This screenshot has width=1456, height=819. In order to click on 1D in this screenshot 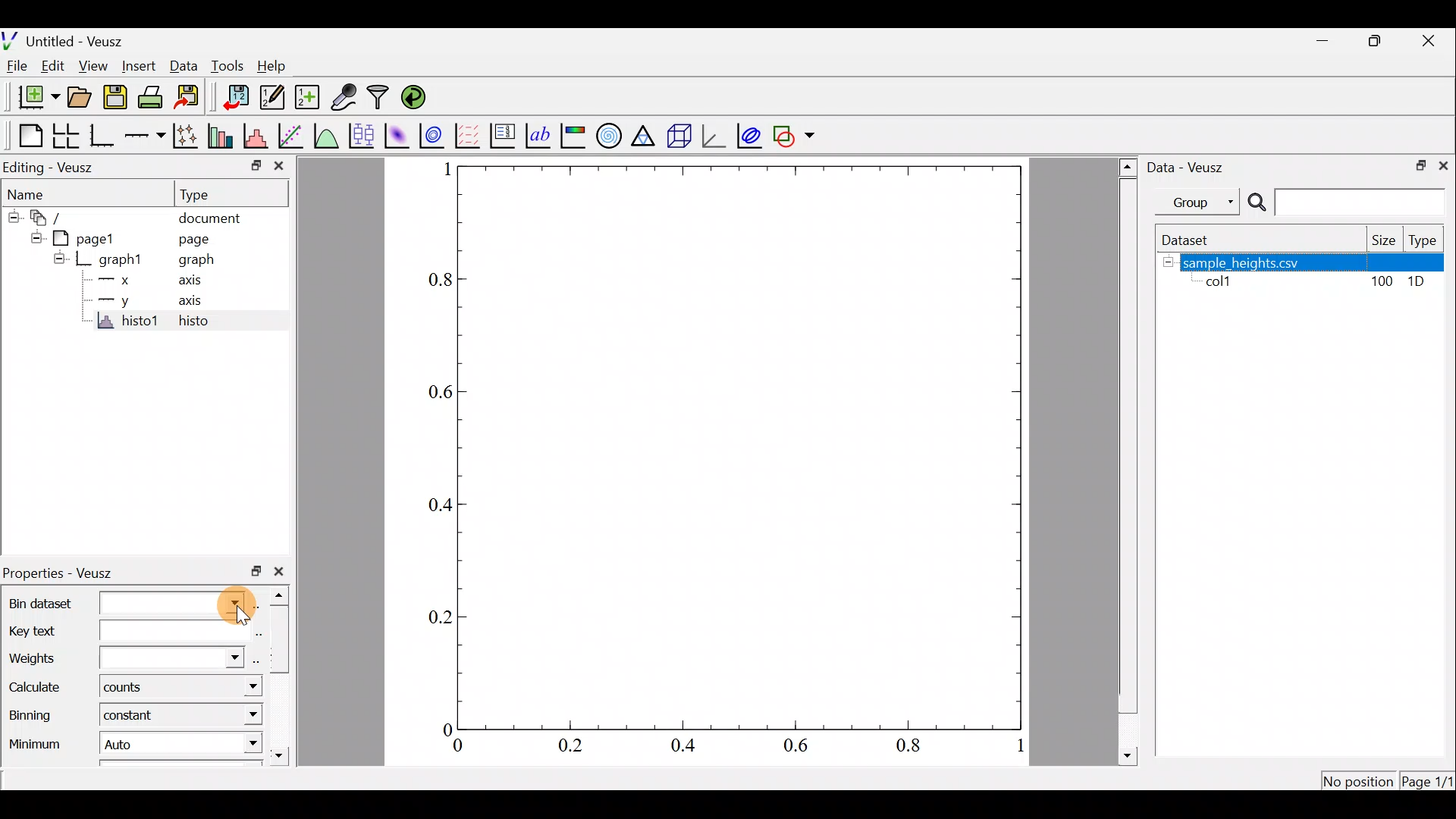, I will do `click(1418, 284)`.